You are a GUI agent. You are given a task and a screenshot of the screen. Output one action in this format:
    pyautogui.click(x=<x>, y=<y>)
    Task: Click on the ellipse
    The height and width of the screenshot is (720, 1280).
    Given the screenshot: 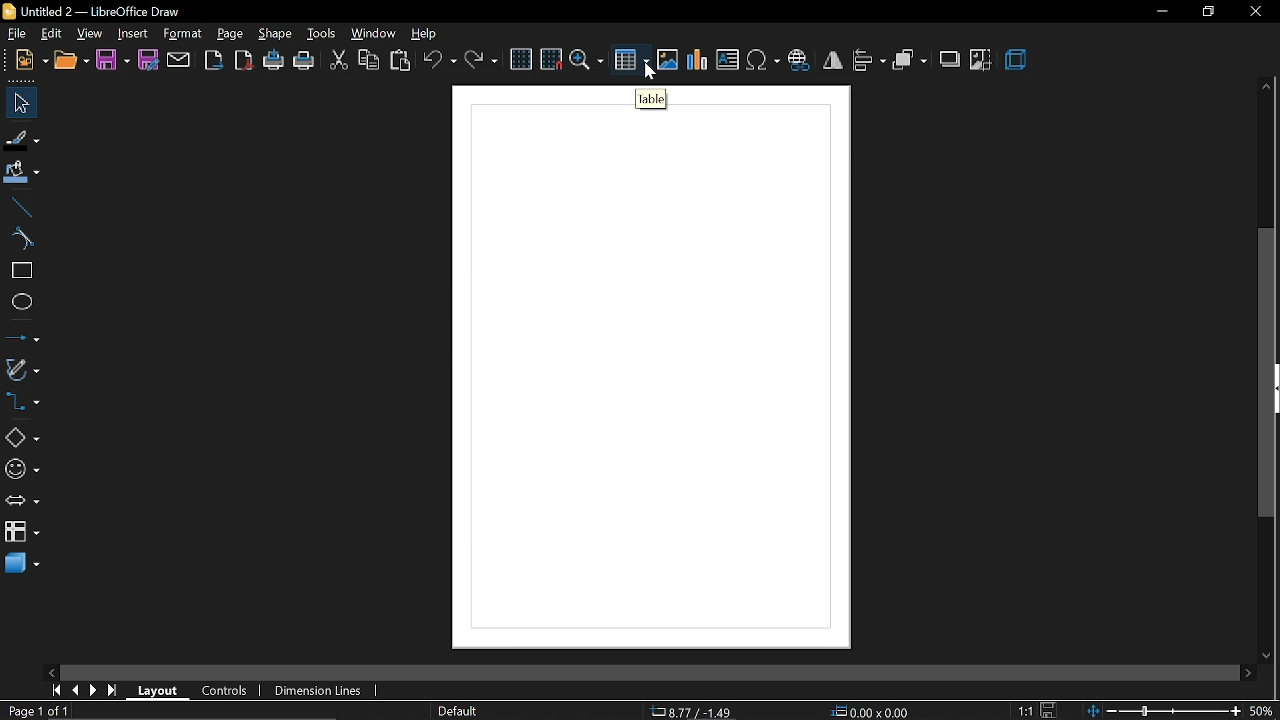 What is the action you would take?
    pyautogui.click(x=18, y=302)
    